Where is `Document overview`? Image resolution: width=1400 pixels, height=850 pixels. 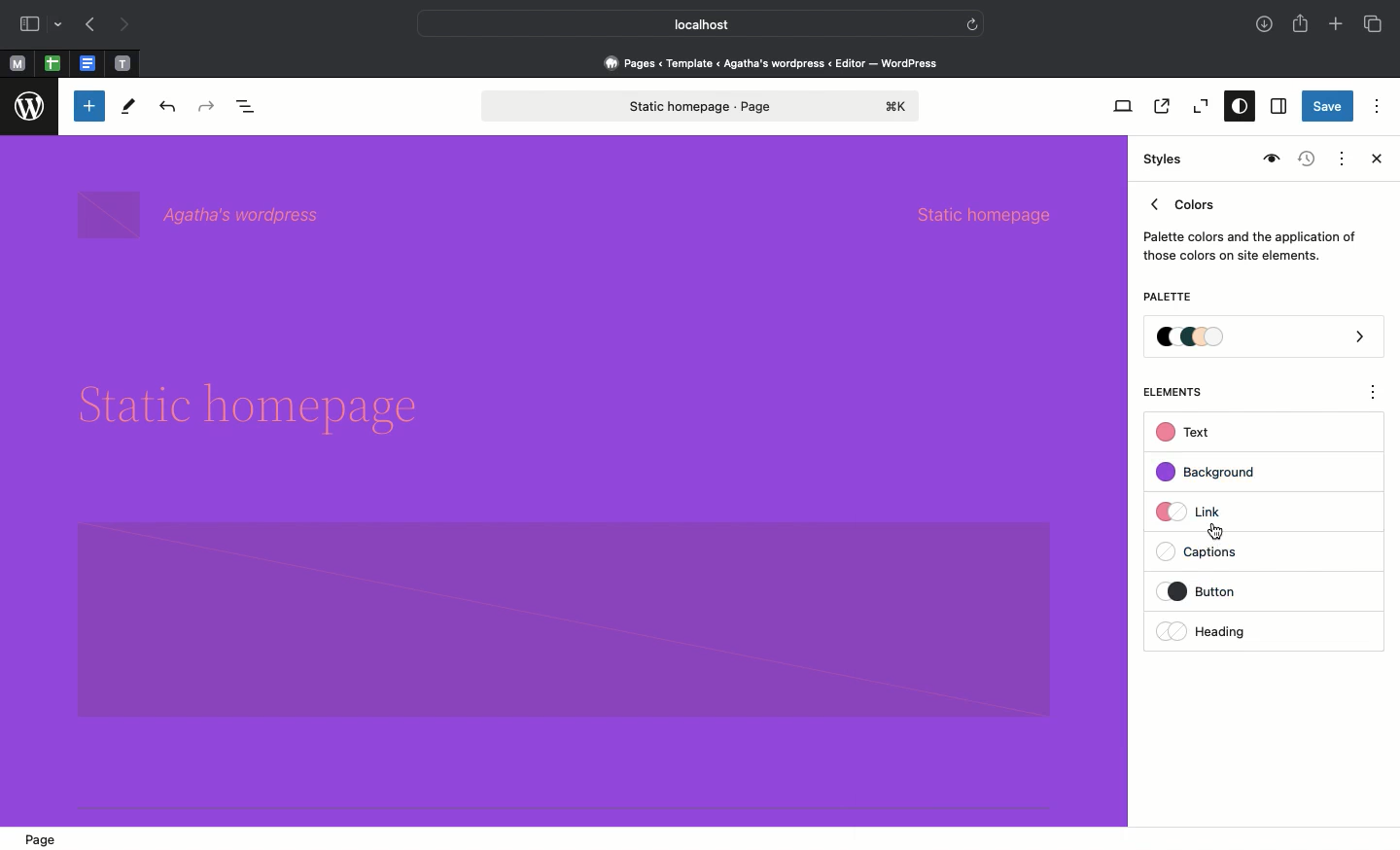
Document overview is located at coordinates (250, 108).